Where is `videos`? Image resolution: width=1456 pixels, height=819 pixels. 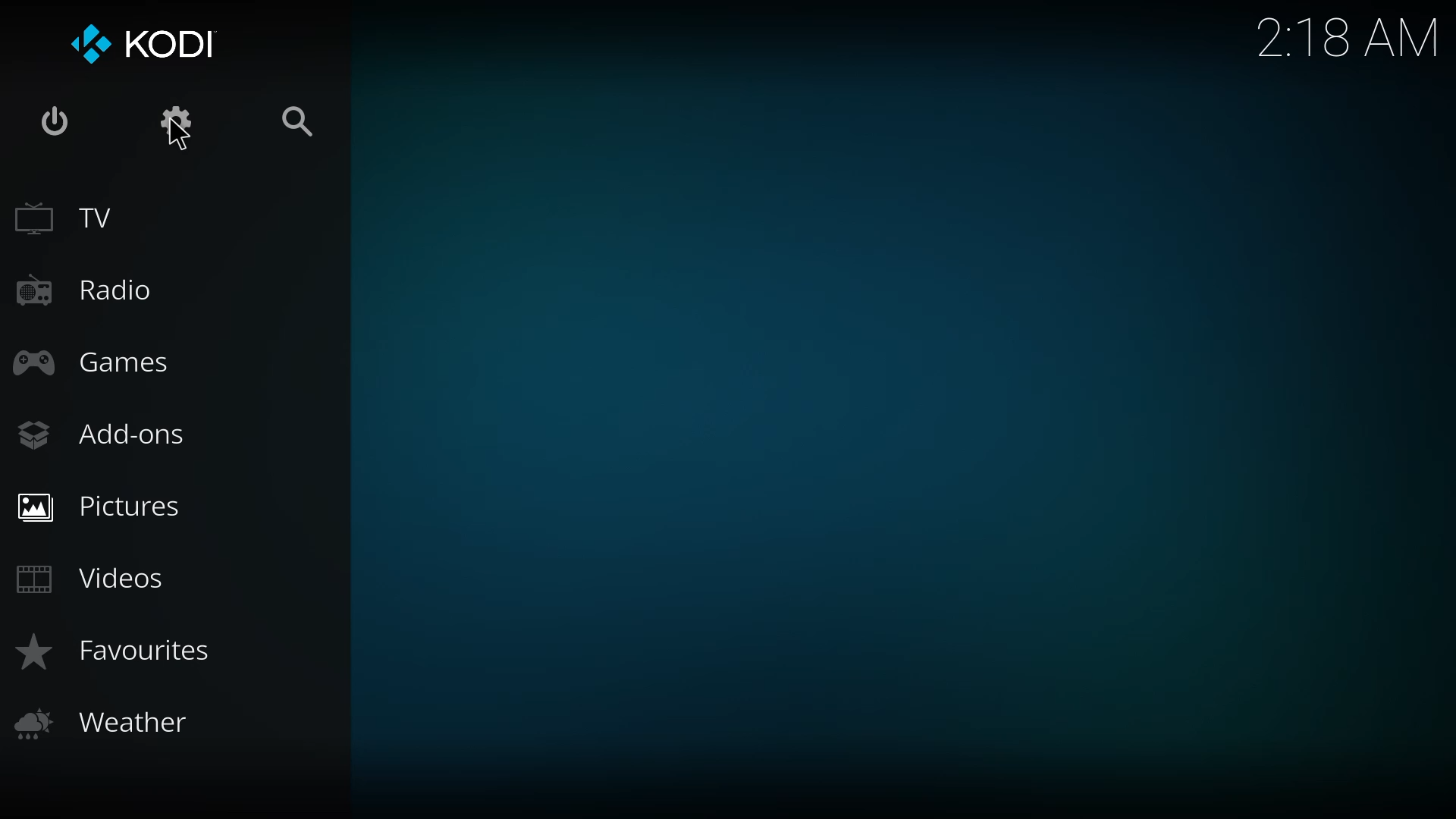
videos is located at coordinates (94, 576).